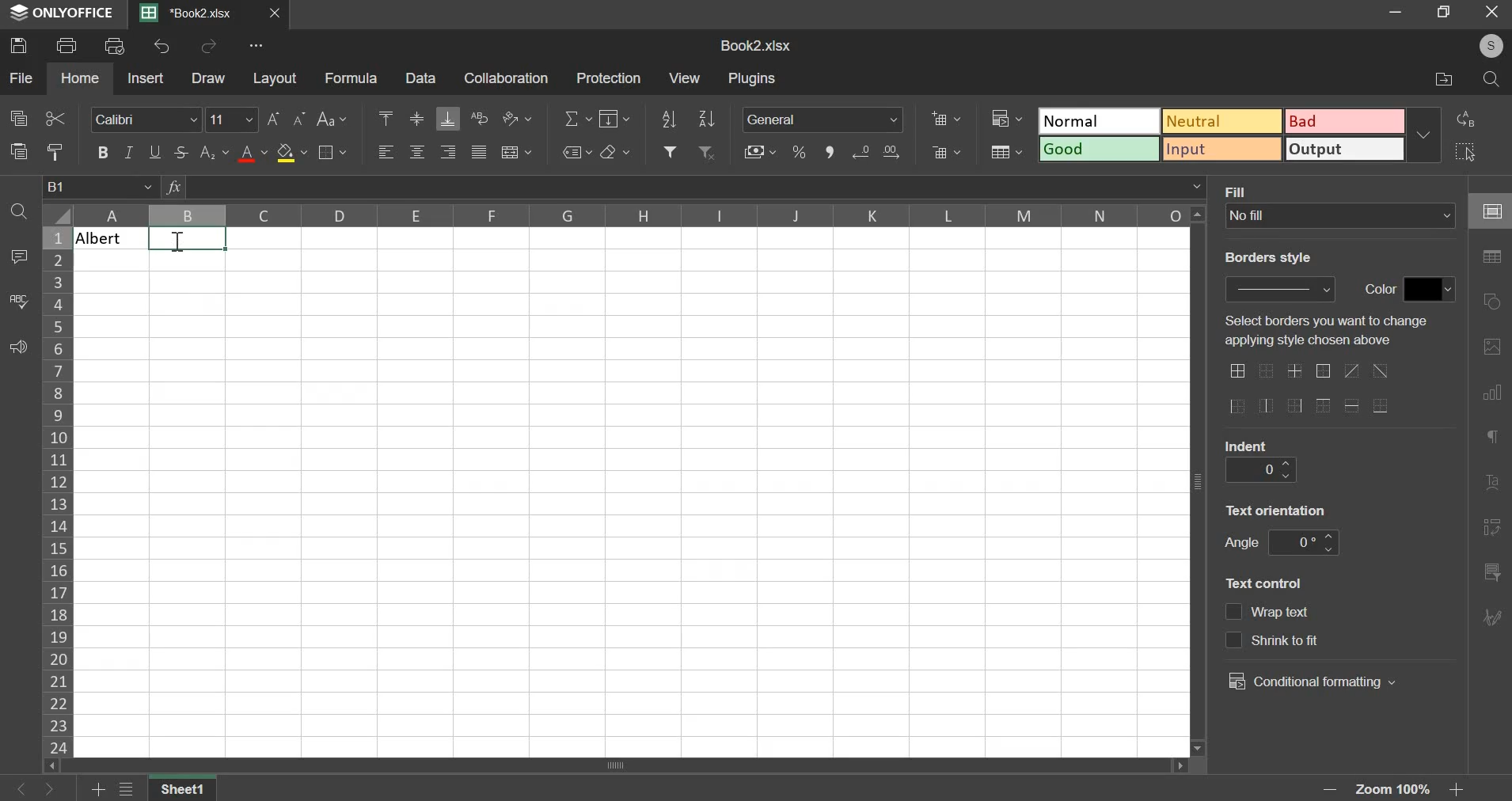  What do you see at coordinates (1282, 512) in the screenshot?
I see `orientation` at bounding box center [1282, 512].